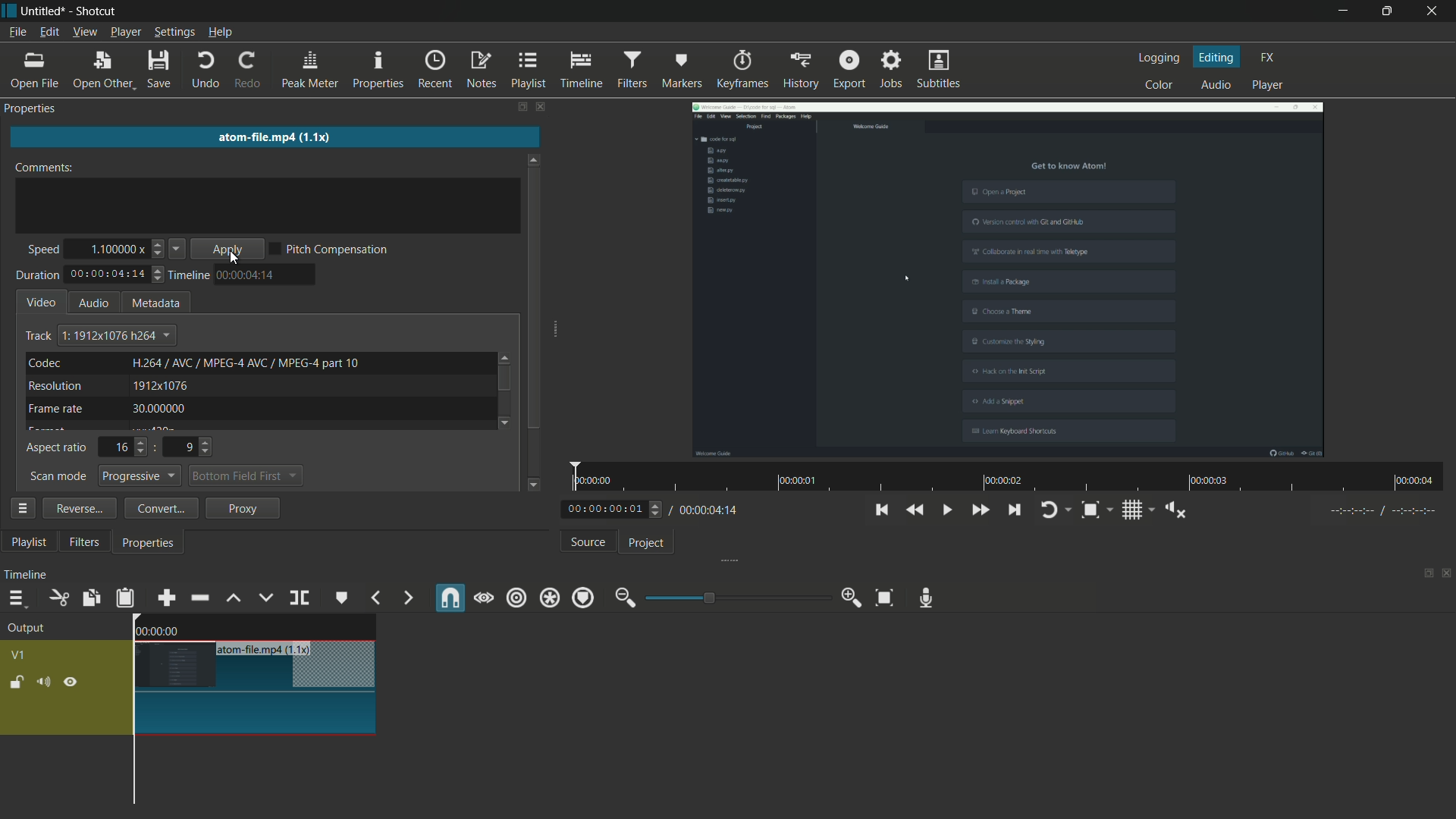  What do you see at coordinates (1175, 510) in the screenshot?
I see `show volume control` at bounding box center [1175, 510].